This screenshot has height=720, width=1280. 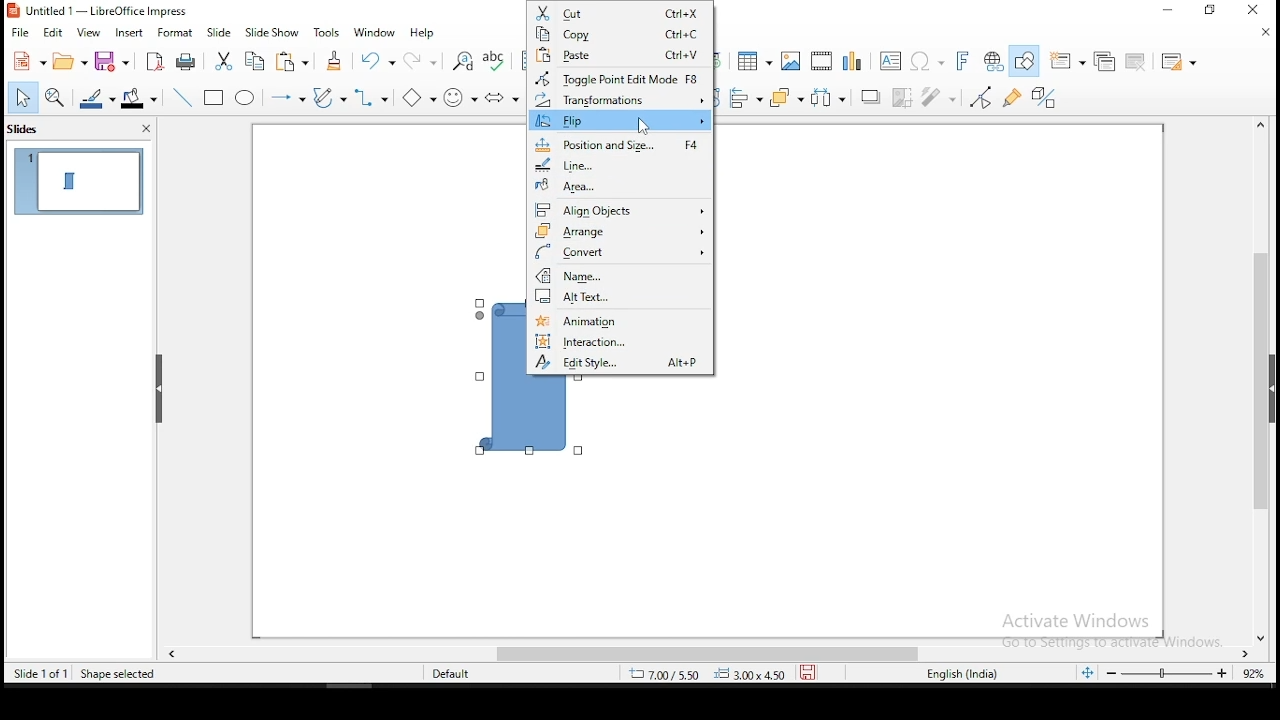 What do you see at coordinates (145, 131) in the screenshot?
I see `close pane` at bounding box center [145, 131].